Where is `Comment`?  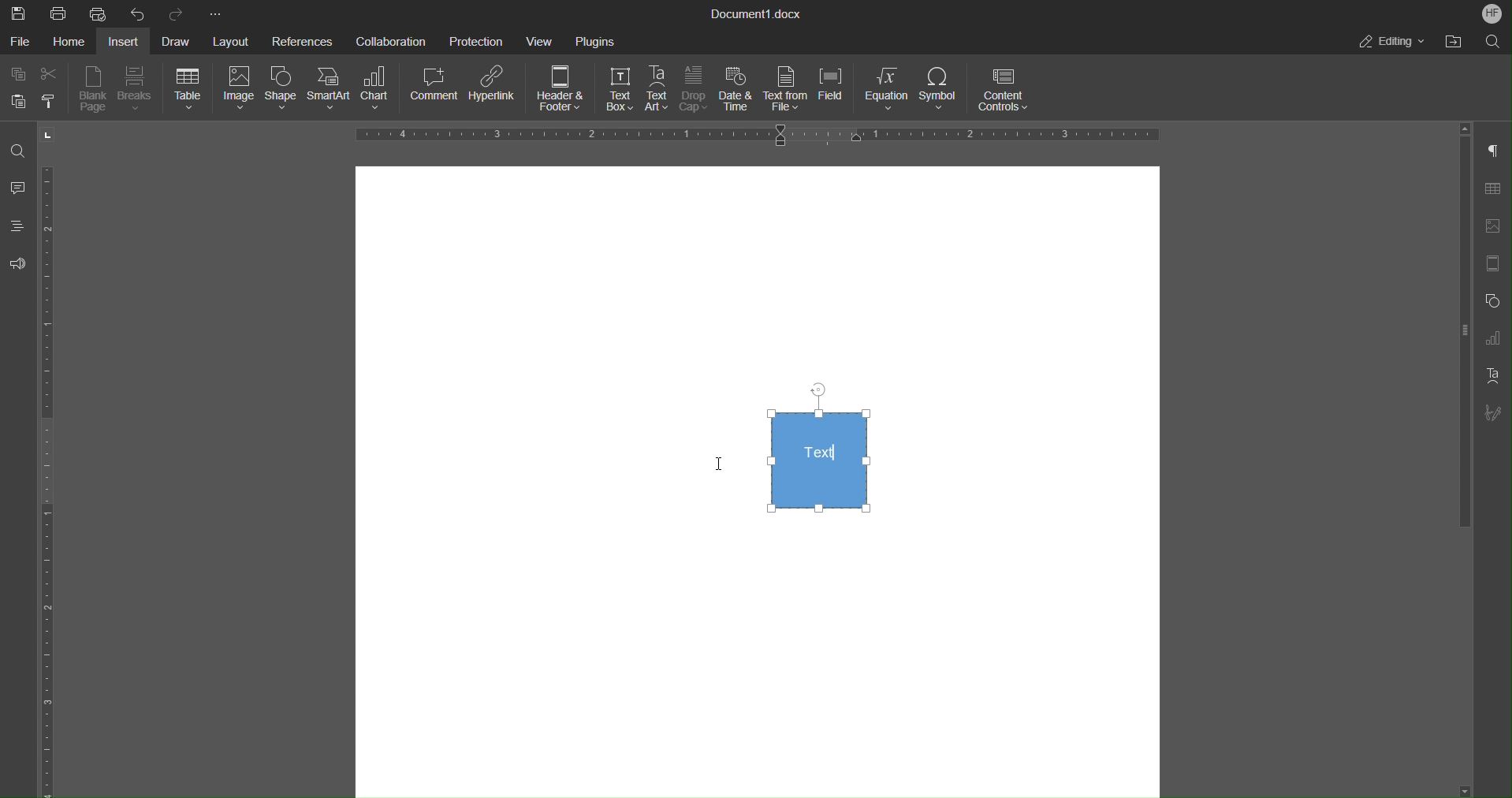
Comment is located at coordinates (435, 91).